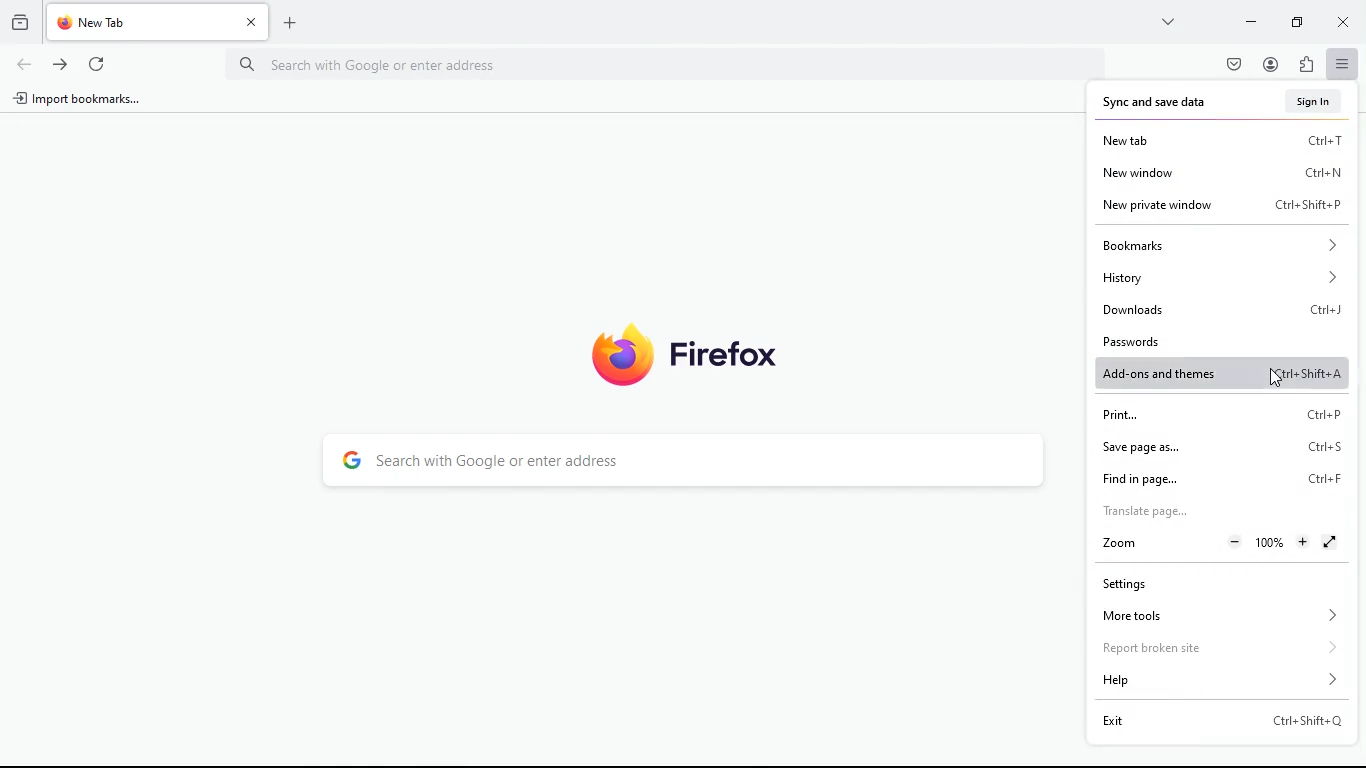 The width and height of the screenshot is (1366, 768). What do you see at coordinates (1215, 415) in the screenshot?
I see `print` at bounding box center [1215, 415].